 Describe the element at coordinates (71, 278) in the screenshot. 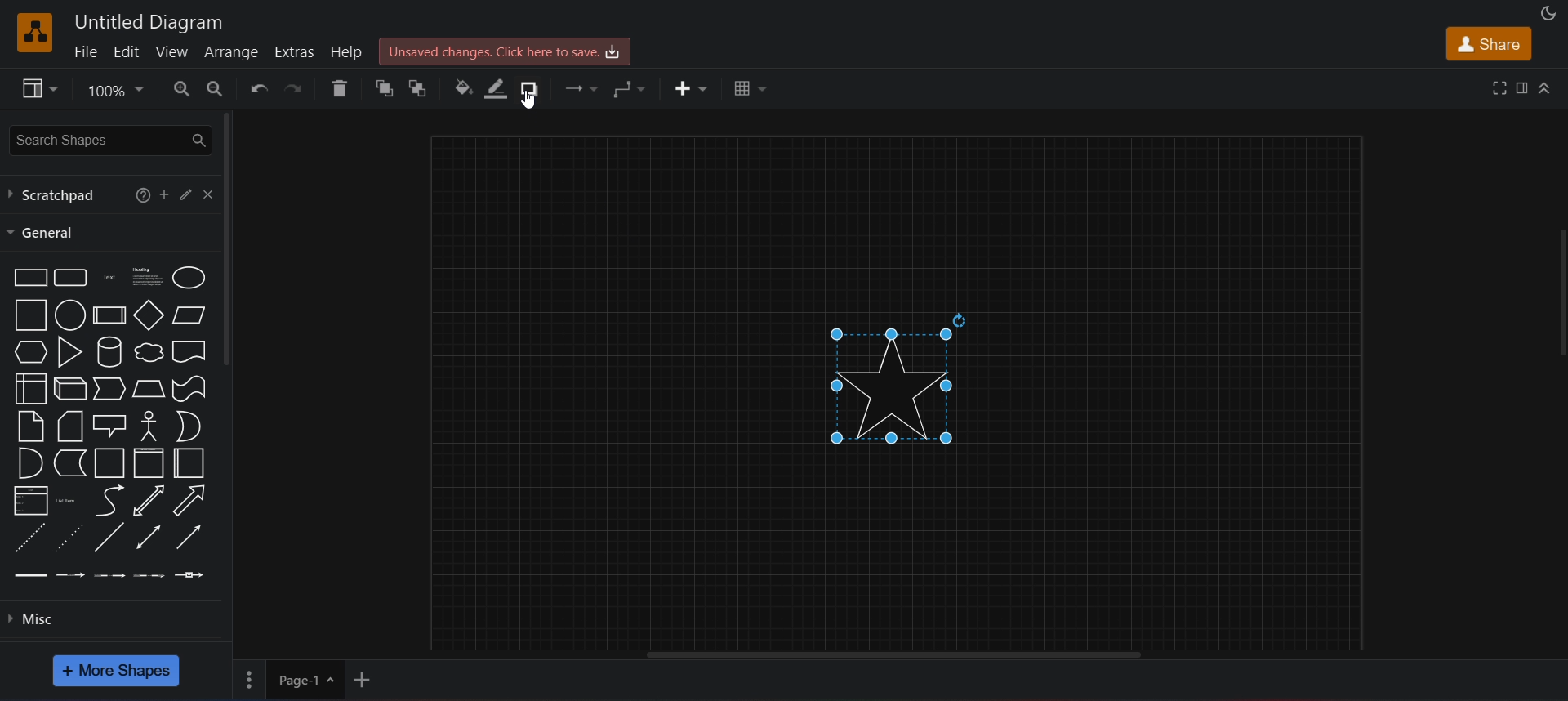

I see `rounded rectangle` at that location.